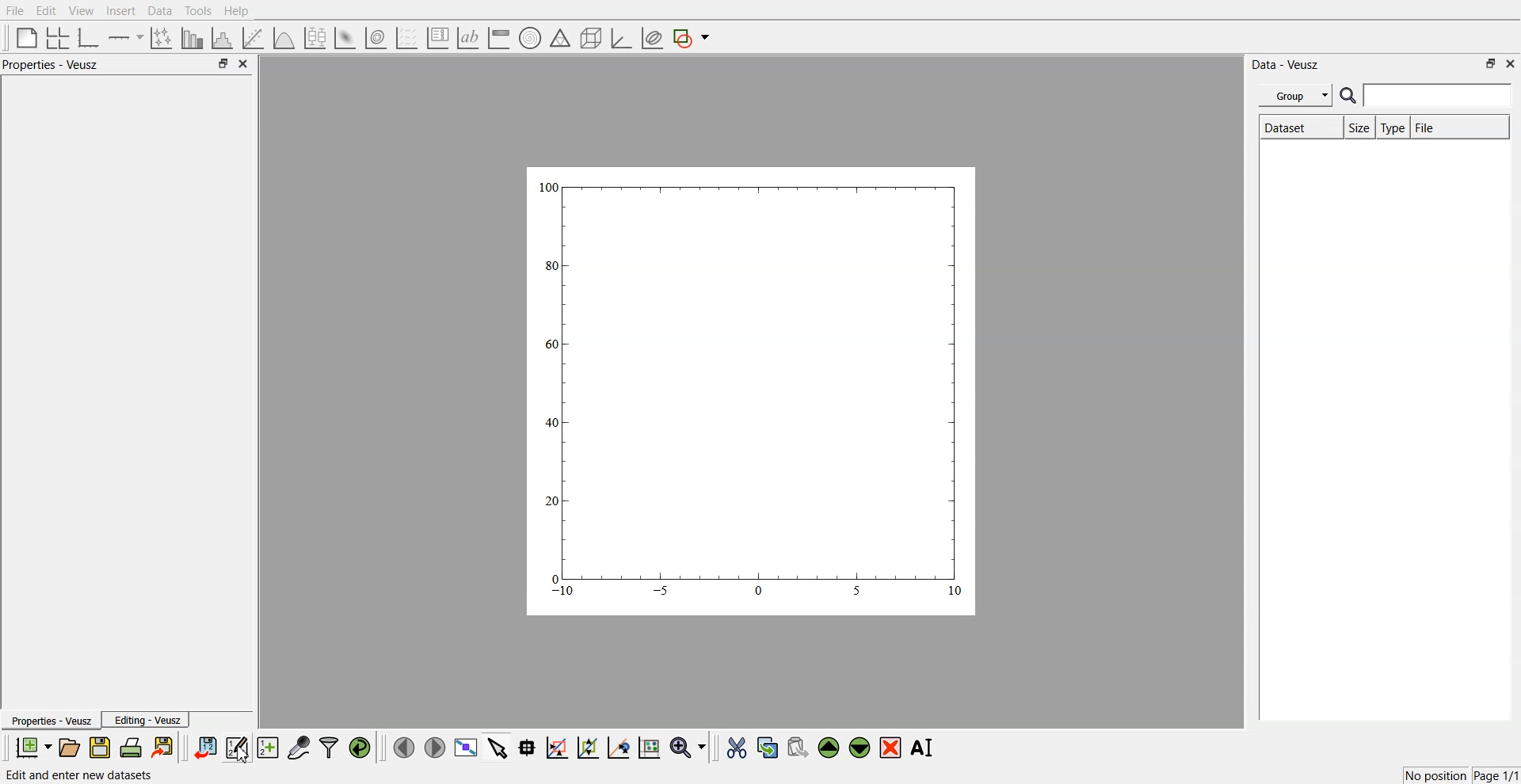  What do you see at coordinates (1439, 127) in the screenshot?
I see `File` at bounding box center [1439, 127].